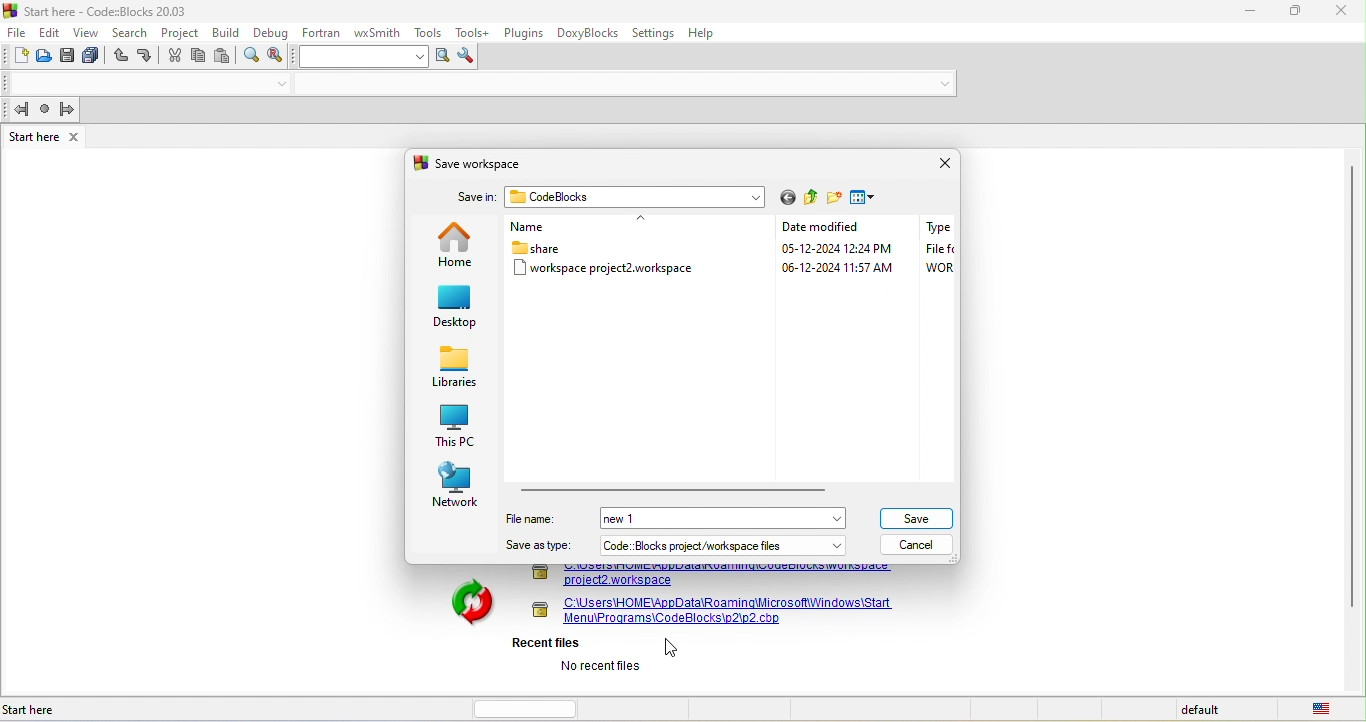 The height and width of the screenshot is (722, 1366). Describe the element at coordinates (595, 228) in the screenshot. I see `name` at that location.